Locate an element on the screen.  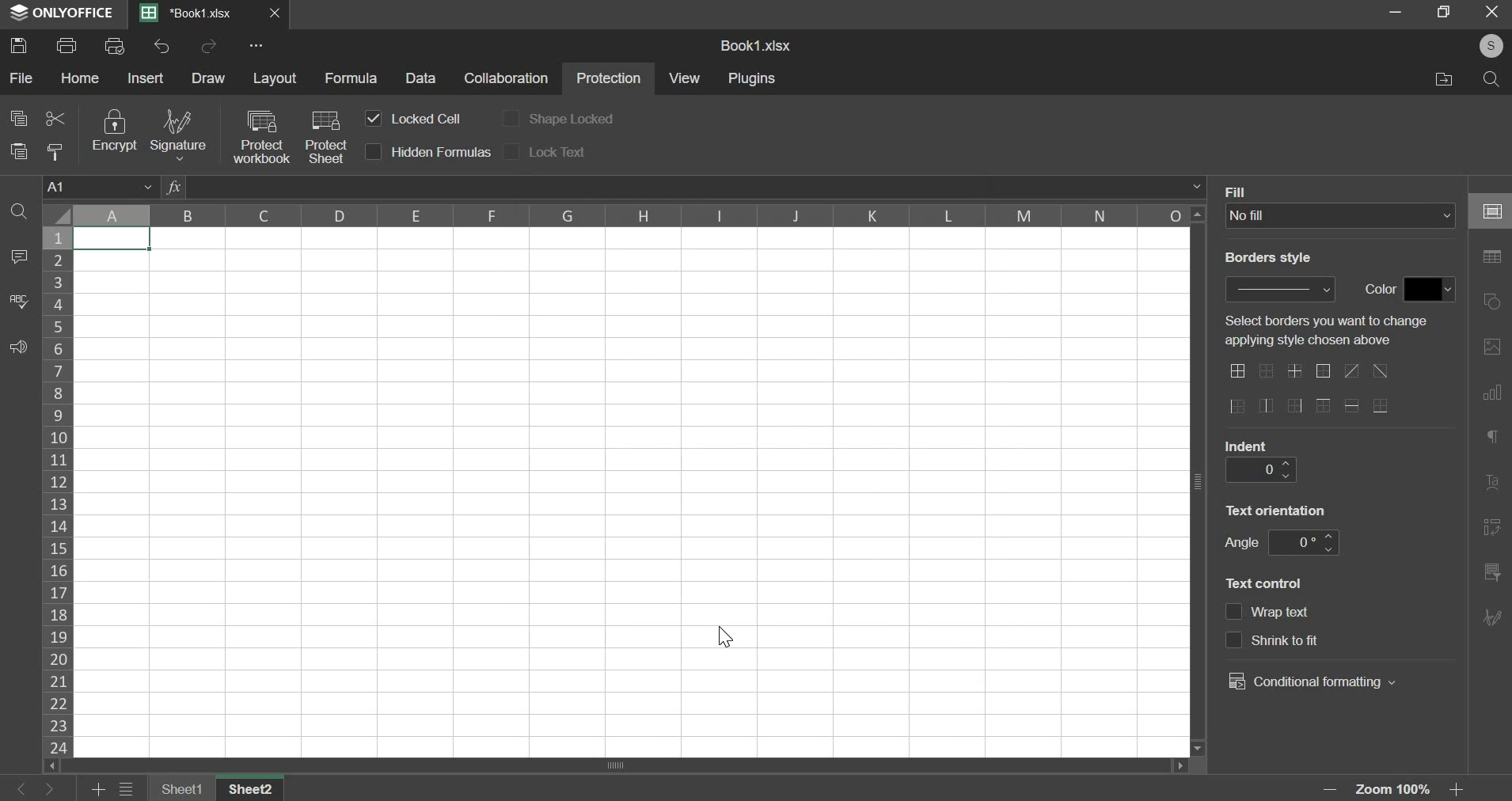
Restore down is located at coordinates (1396, 11).